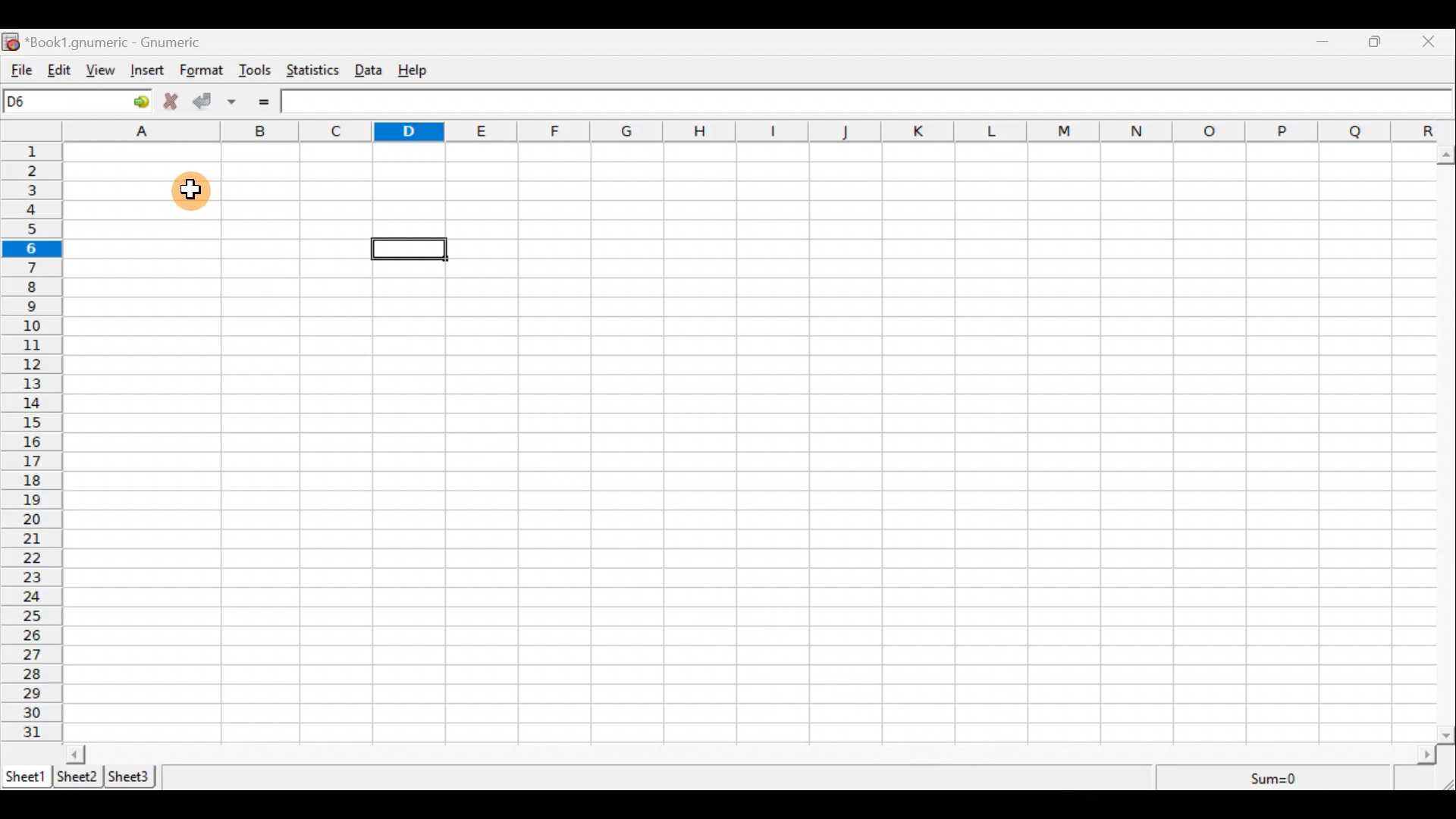 This screenshot has width=1456, height=819. What do you see at coordinates (256, 71) in the screenshot?
I see `Tools` at bounding box center [256, 71].